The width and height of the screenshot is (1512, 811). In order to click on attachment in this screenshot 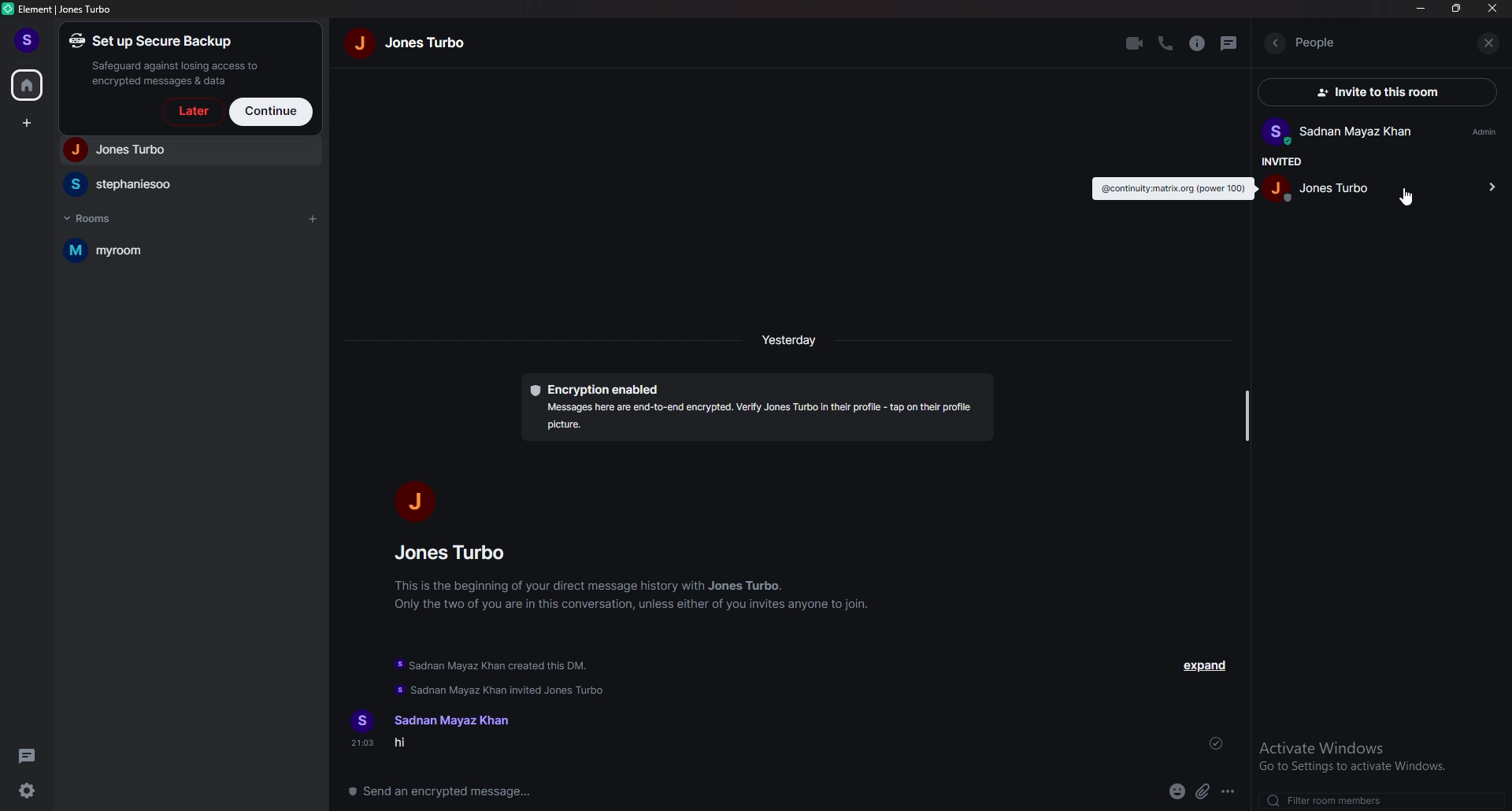, I will do `click(1204, 791)`.